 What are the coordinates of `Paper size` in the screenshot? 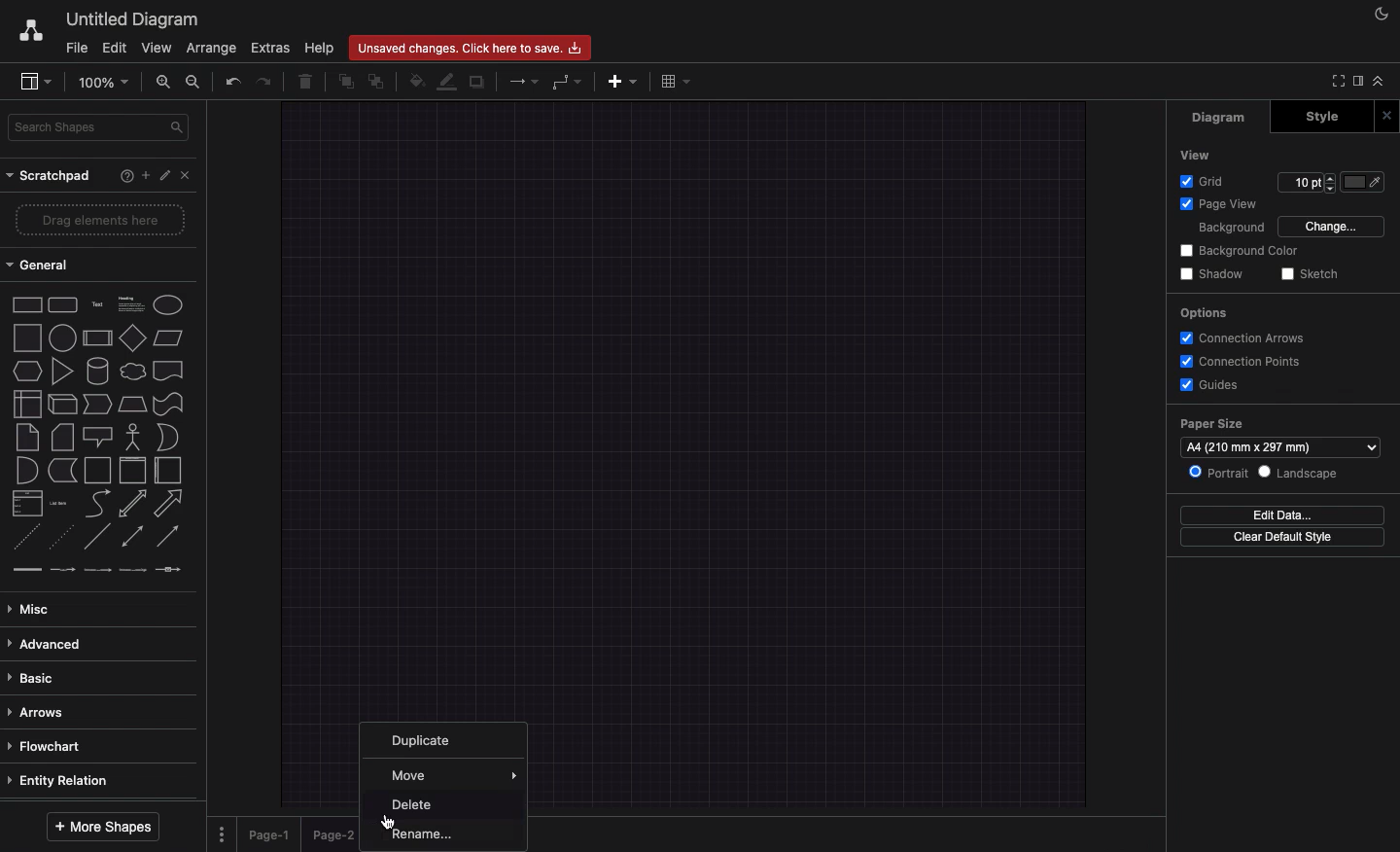 It's located at (1279, 439).